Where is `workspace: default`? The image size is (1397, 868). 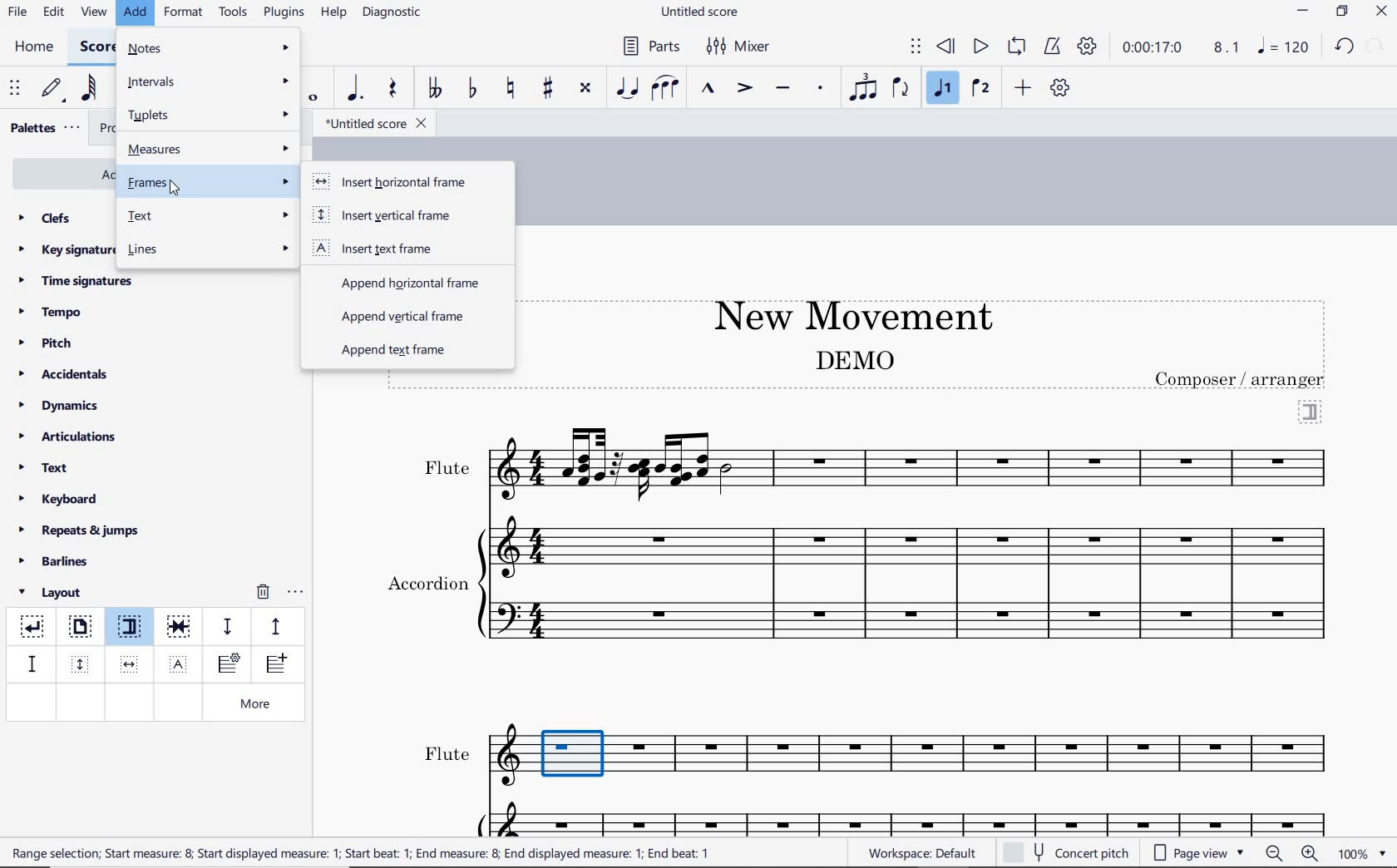 workspace: default is located at coordinates (920, 852).